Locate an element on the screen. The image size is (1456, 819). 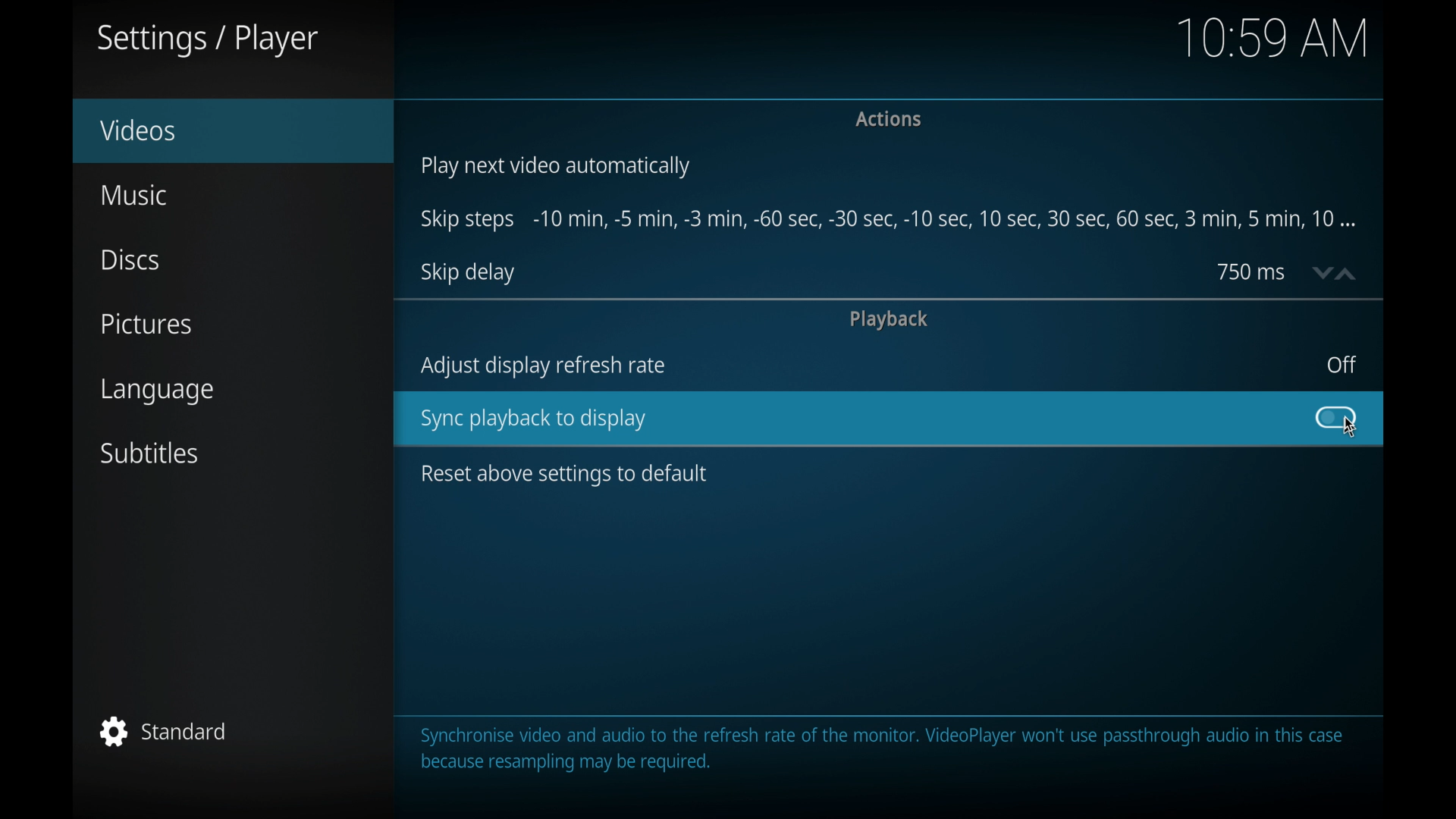
10.59 am is located at coordinates (1271, 39).